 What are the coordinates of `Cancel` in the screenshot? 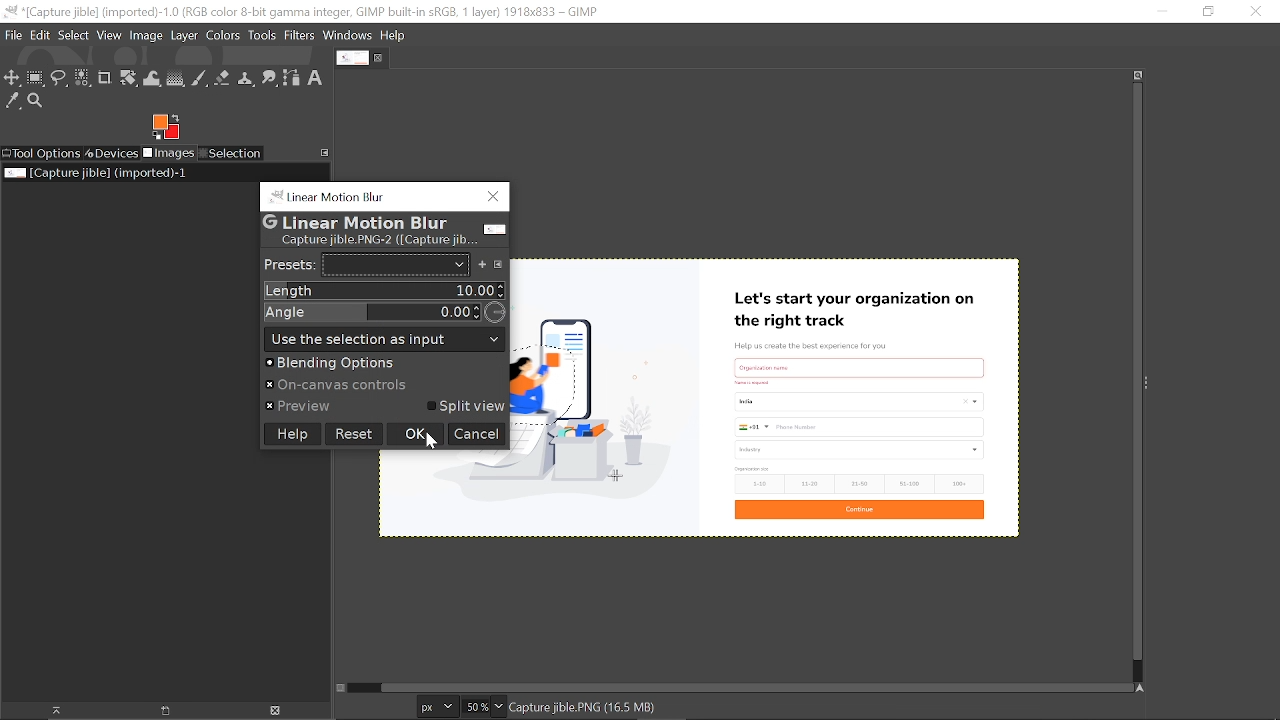 It's located at (476, 435).